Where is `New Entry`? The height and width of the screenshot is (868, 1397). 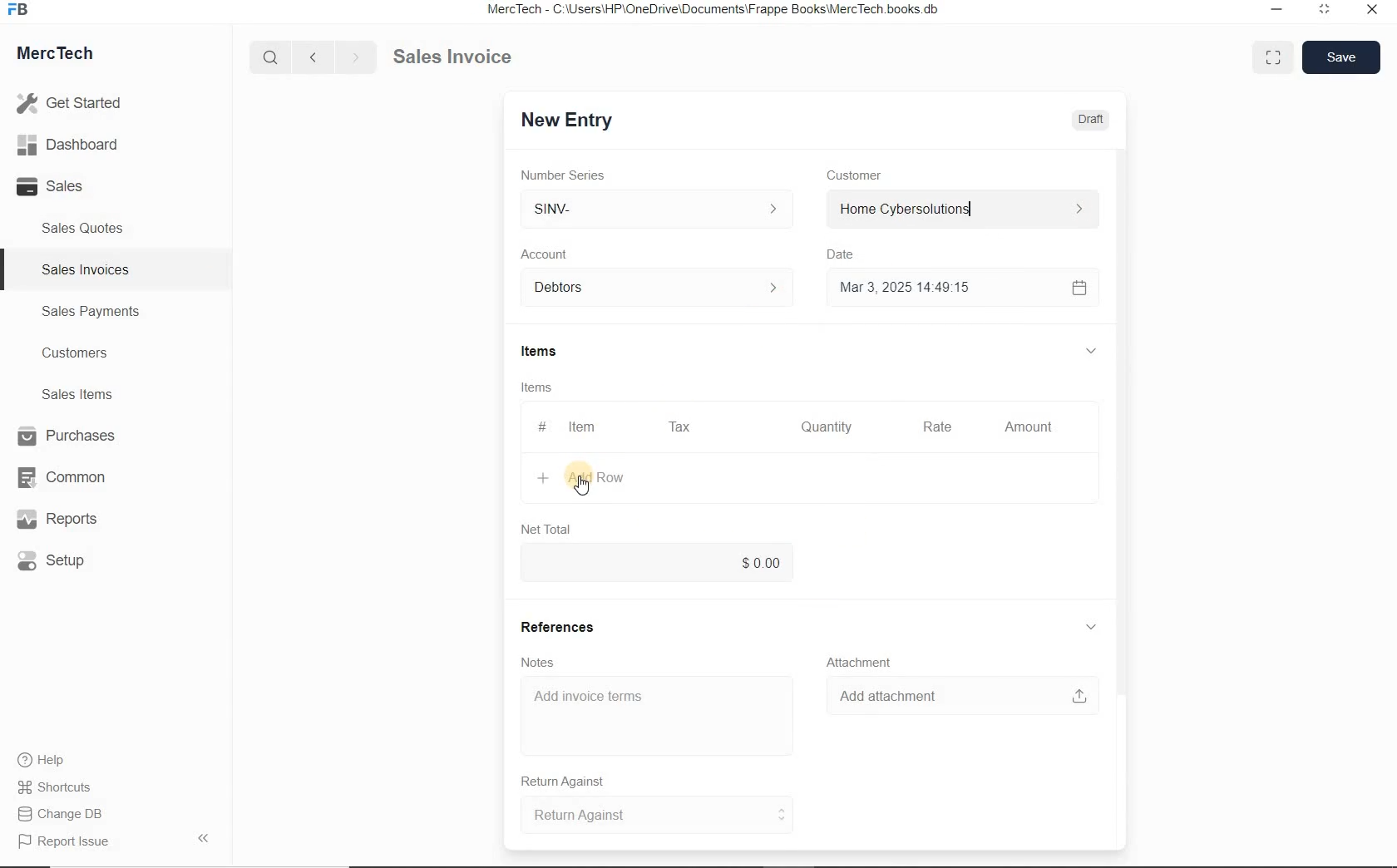 New Entry is located at coordinates (565, 121).